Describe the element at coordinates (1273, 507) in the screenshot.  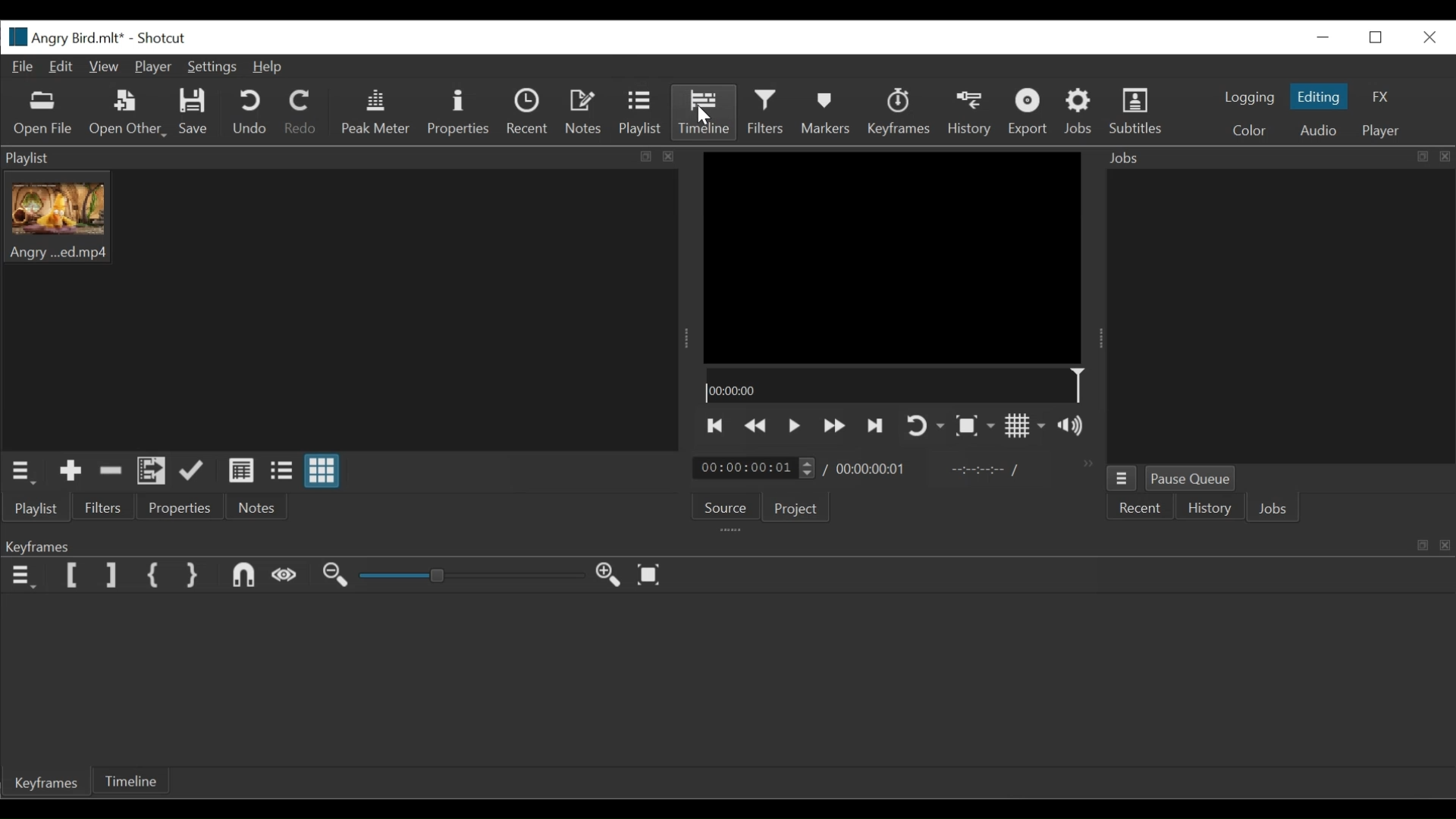
I see `Jobs` at that location.